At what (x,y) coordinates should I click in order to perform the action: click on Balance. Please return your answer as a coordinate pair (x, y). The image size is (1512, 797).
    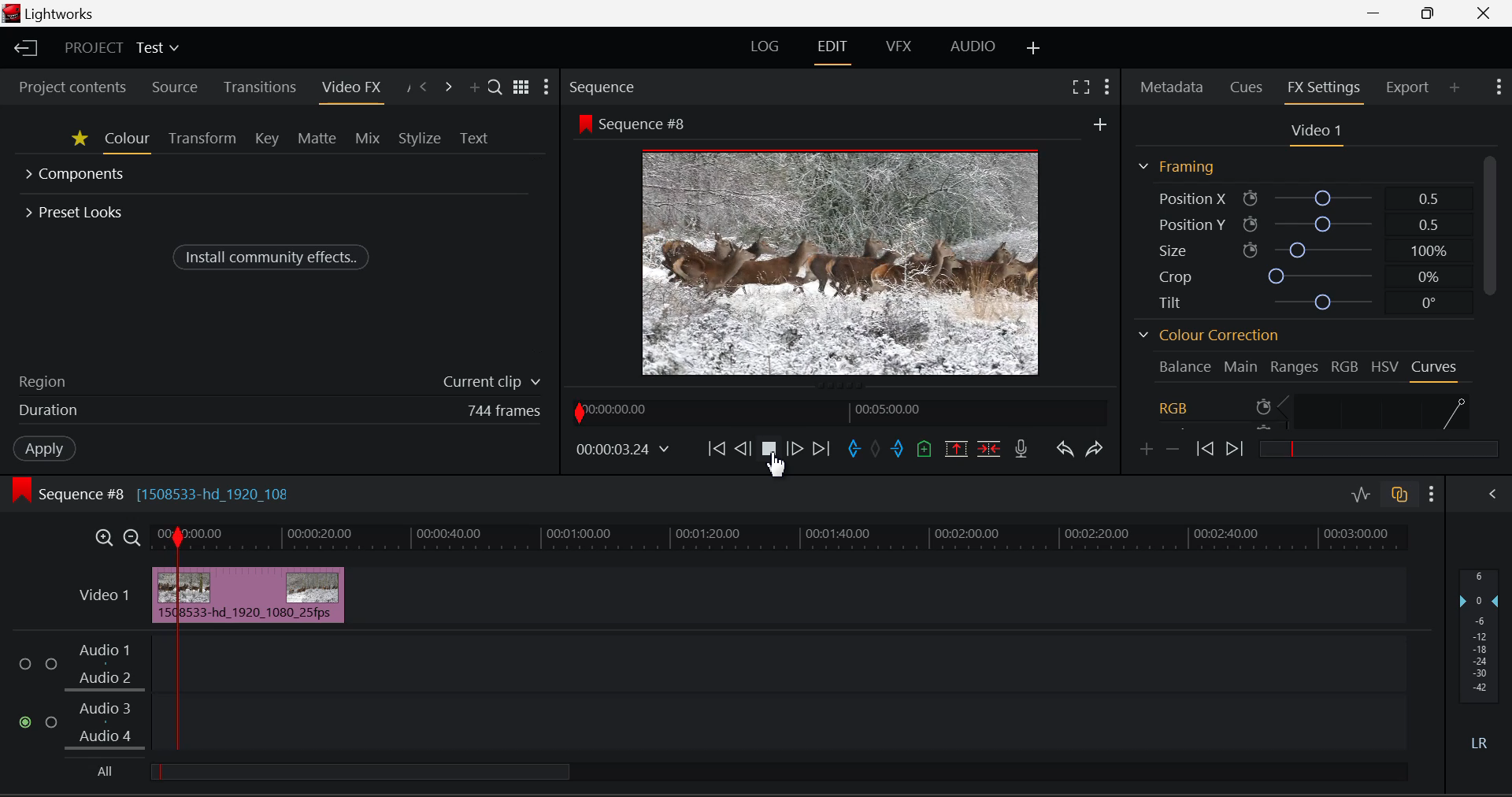
    Looking at the image, I should click on (1184, 366).